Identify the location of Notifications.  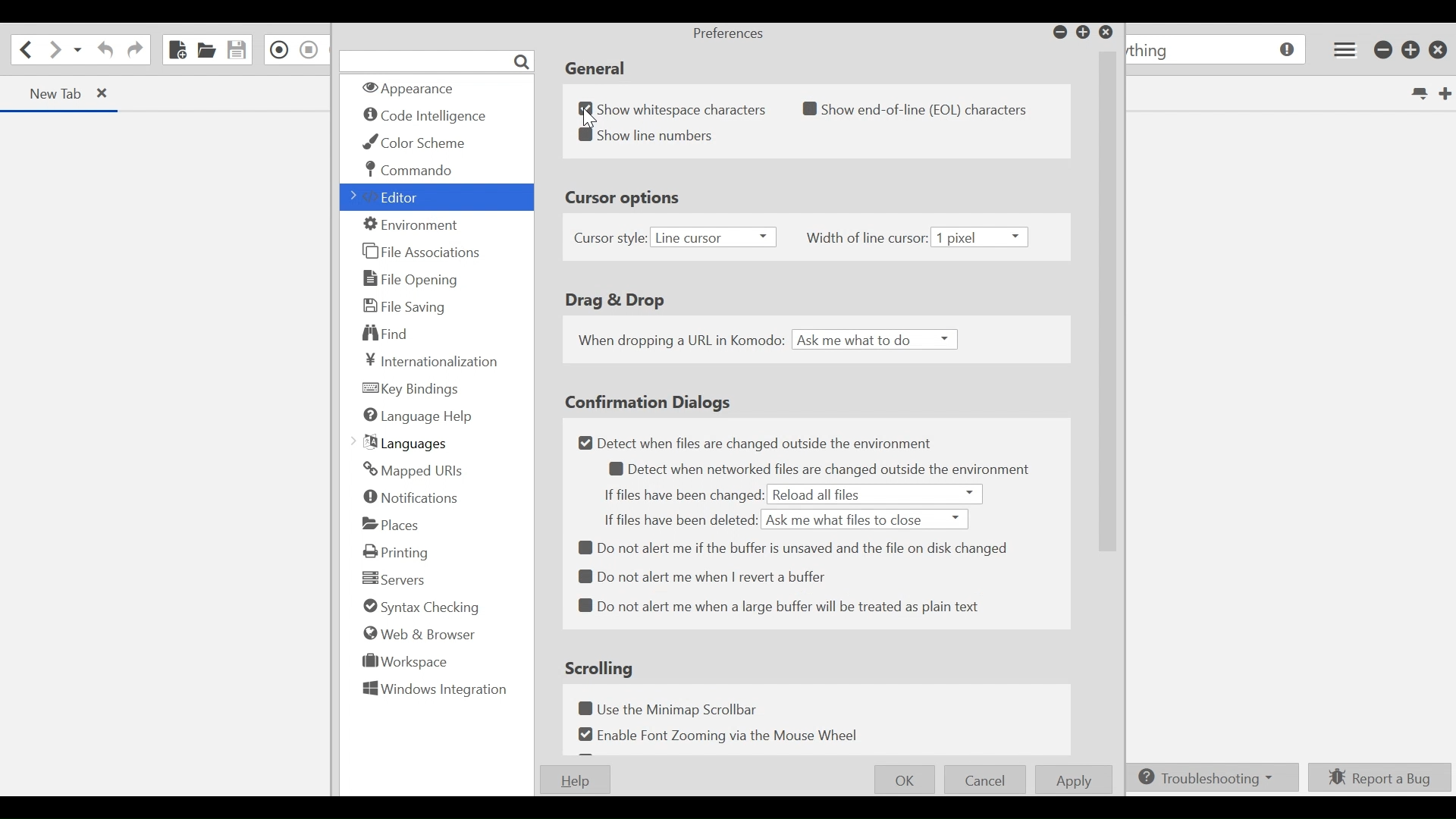
(412, 497).